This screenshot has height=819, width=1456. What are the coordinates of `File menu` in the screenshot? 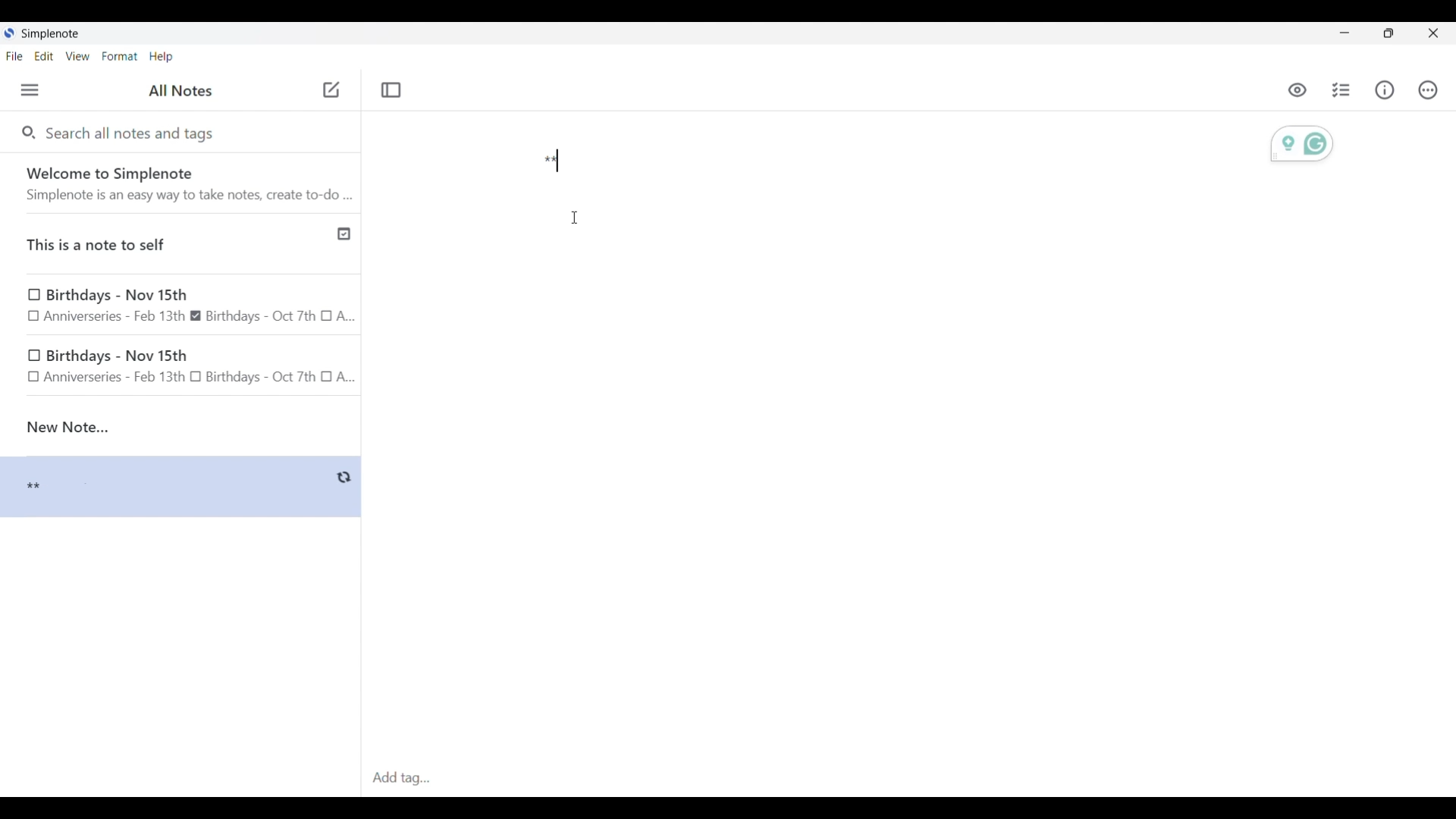 It's located at (14, 55).